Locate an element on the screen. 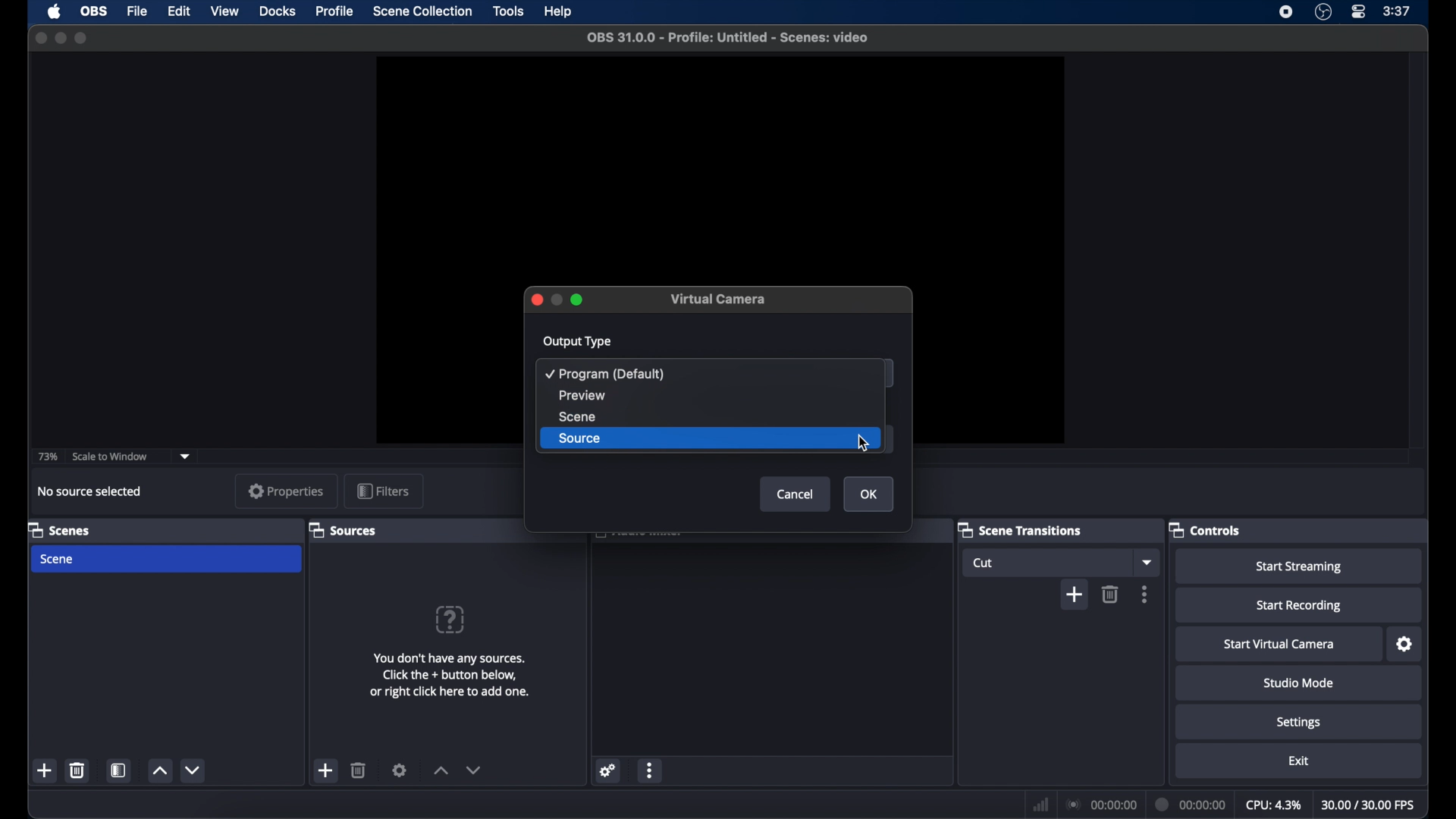 This screenshot has width=1456, height=819. program is located at coordinates (605, 373).